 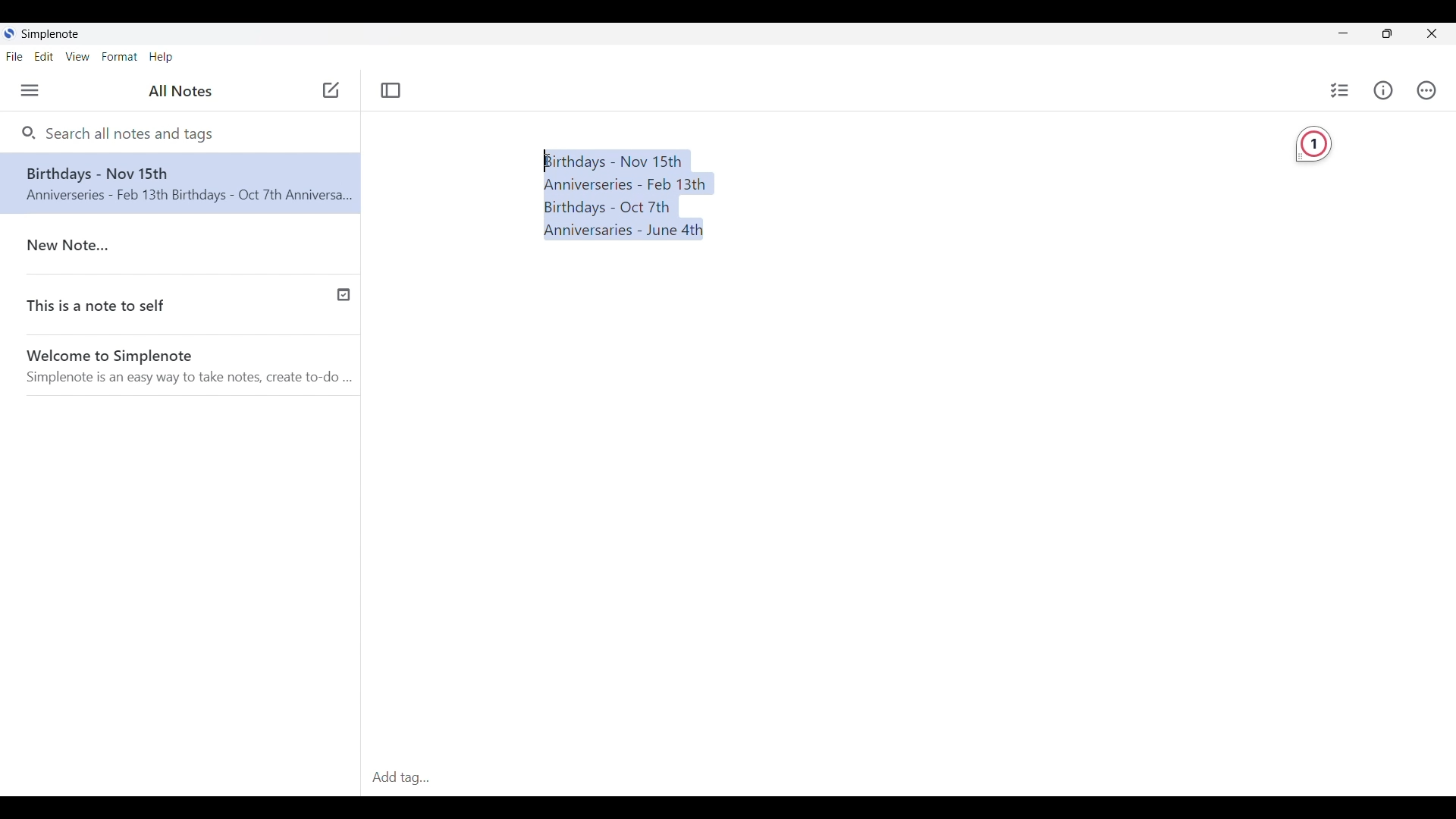 What do you see at coordinates (44, 57) in the screenshot?
I see `Edit menu` at bounding box center [44, 57].